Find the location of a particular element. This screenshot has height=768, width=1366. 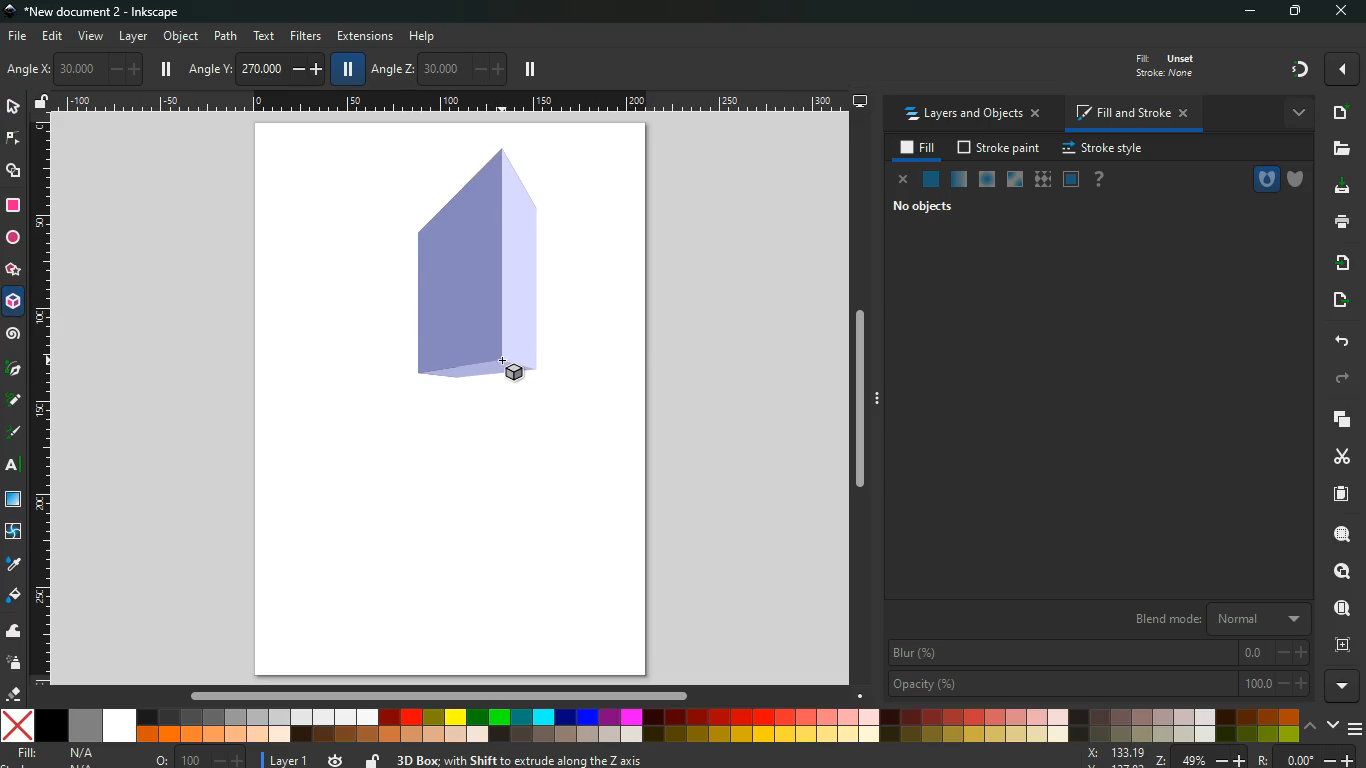

Spiral is located at coordinates (16, 335).